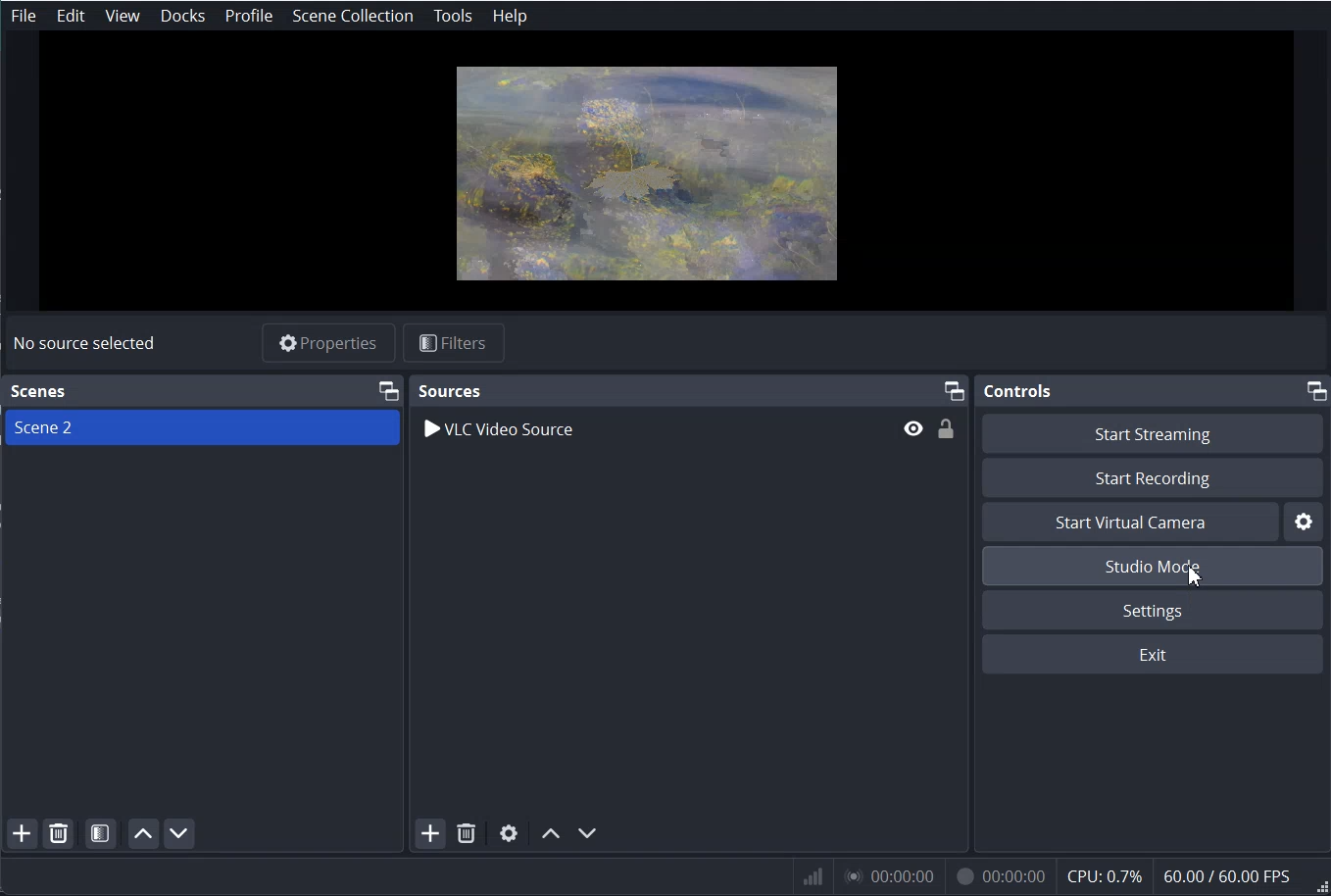  I want to click on Scene Collection, so click(352, 16).